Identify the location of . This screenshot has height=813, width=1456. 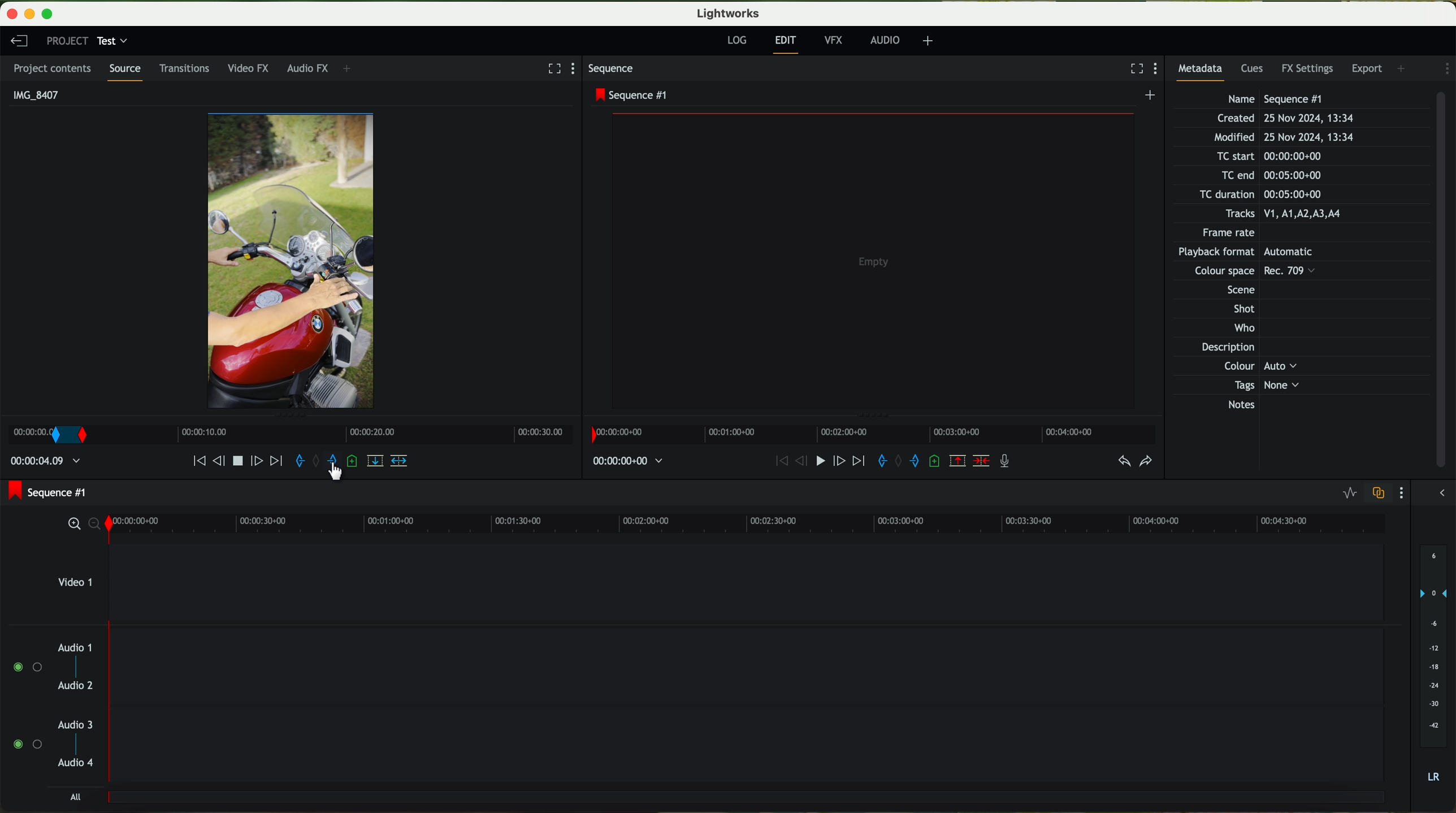
(1236, 288).